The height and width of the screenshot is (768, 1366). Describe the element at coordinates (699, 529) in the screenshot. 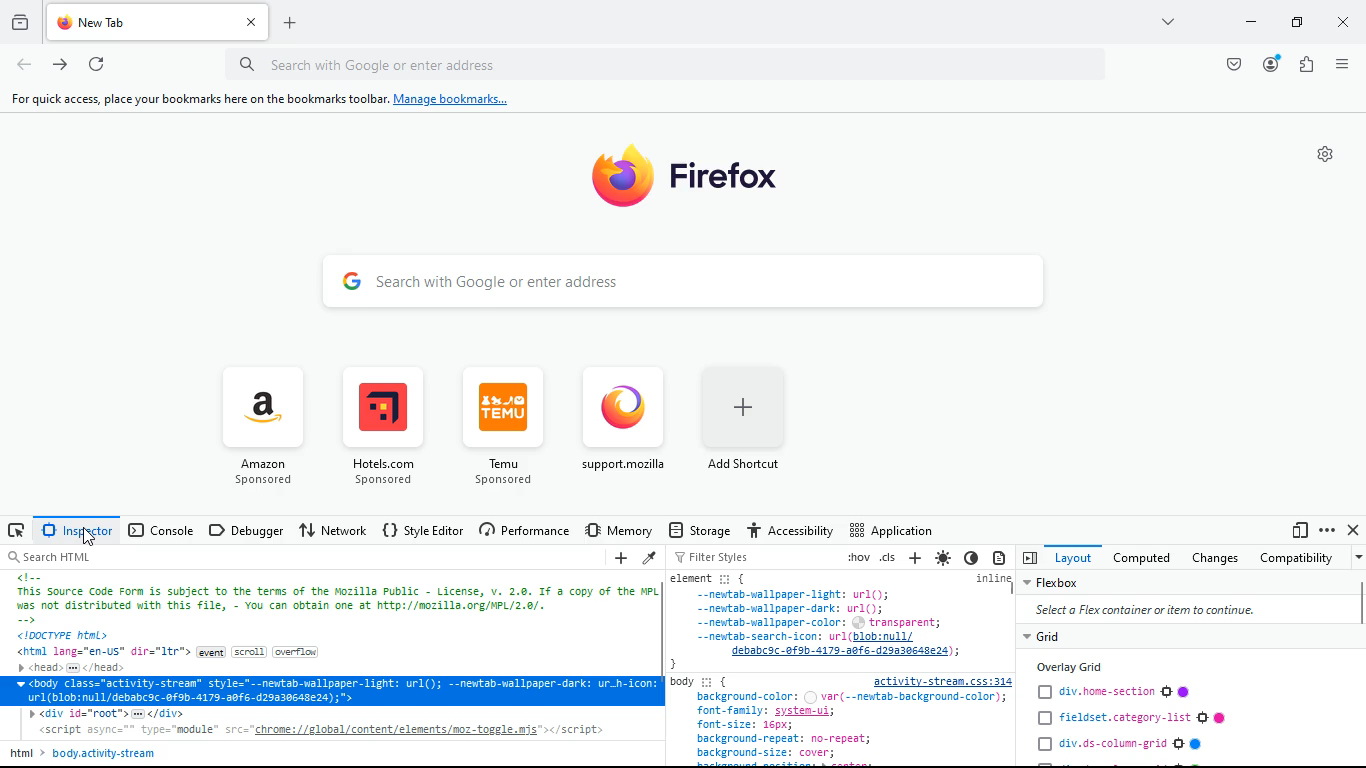

I see `storage` at that location.